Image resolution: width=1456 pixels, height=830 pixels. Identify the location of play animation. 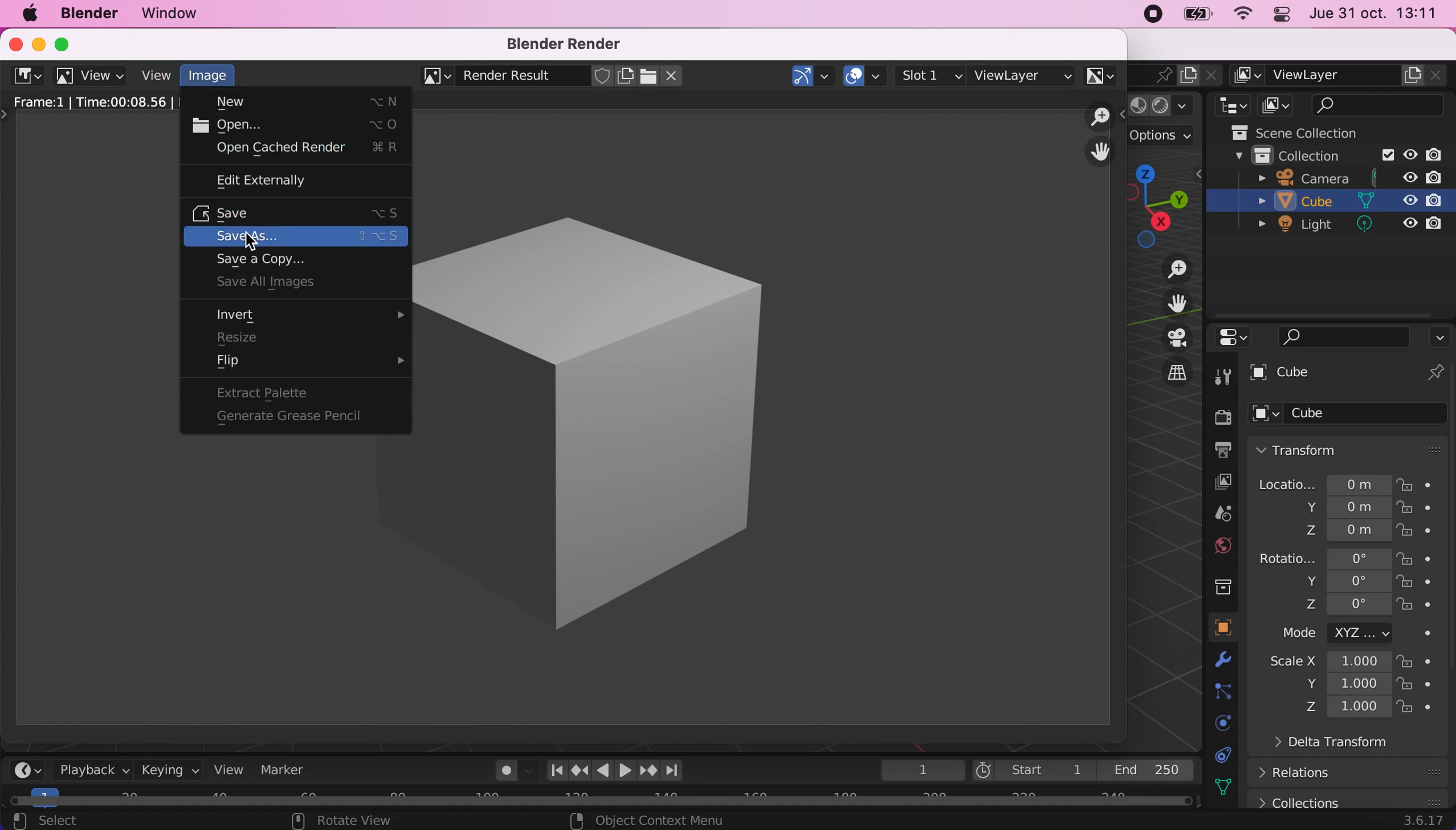
(625, 770).